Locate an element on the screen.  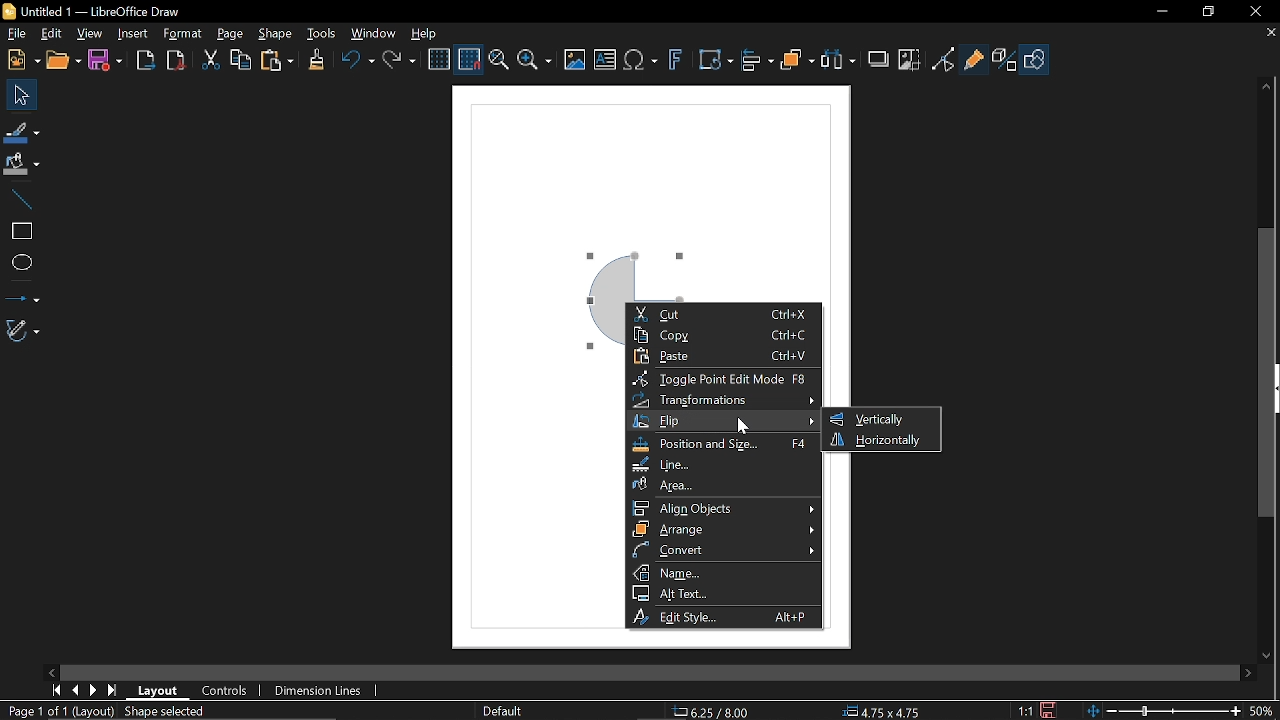
Close window is located at coordinates (1258, 12).